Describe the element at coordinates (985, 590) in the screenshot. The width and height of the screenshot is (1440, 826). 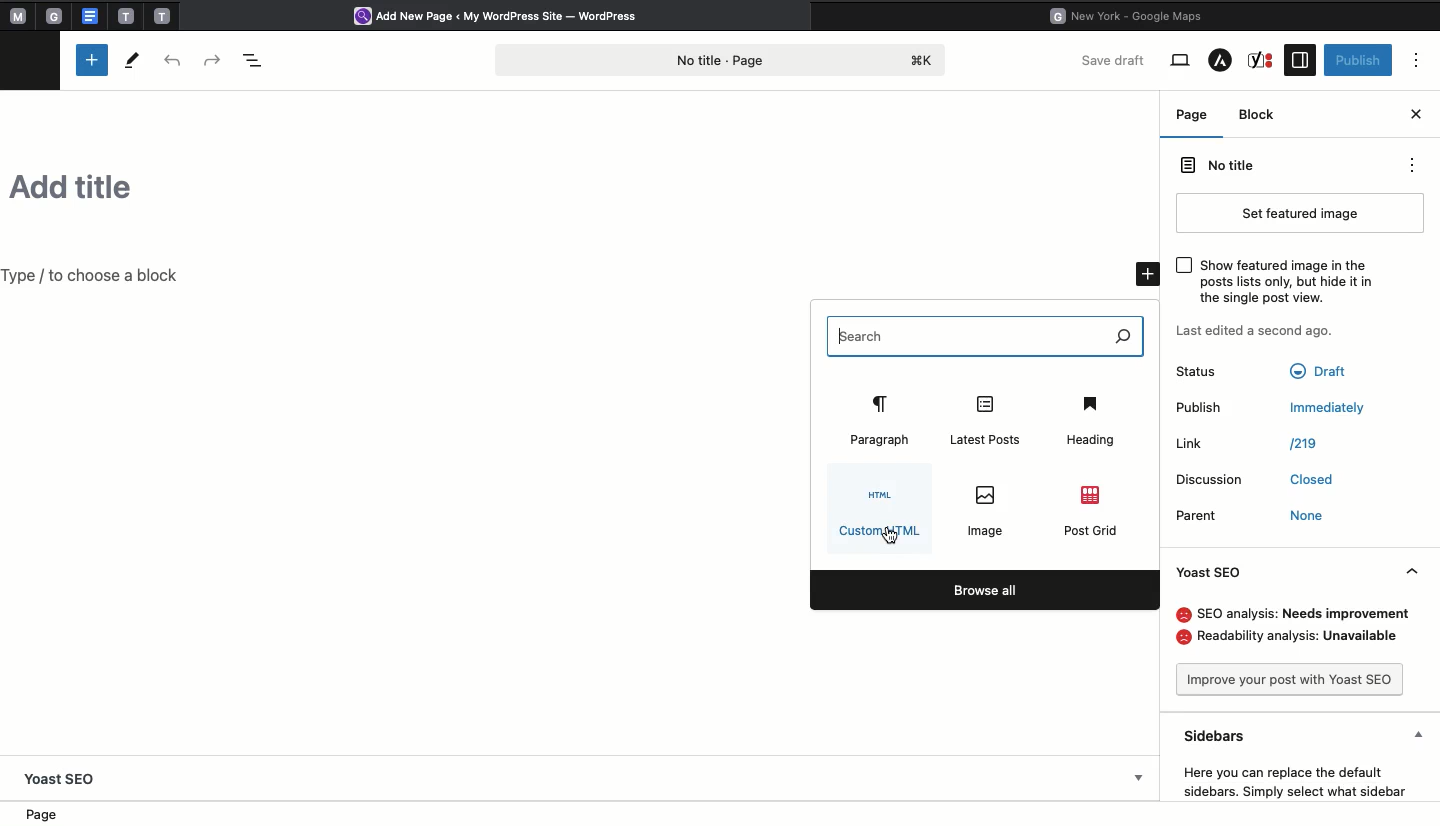
I see `Browse all` at that location.